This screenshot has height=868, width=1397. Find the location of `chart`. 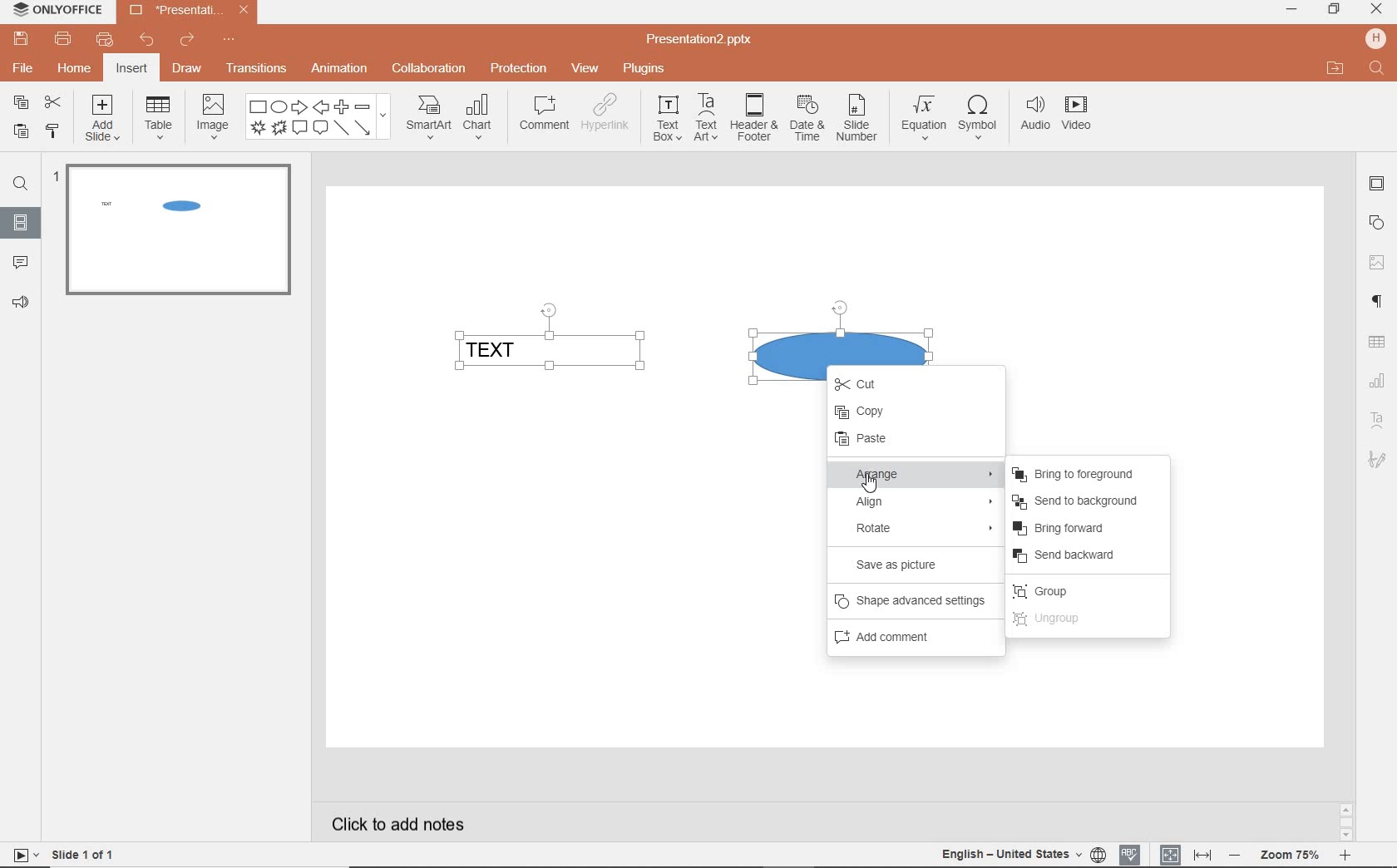

chart is located at coordinates (481, 116).